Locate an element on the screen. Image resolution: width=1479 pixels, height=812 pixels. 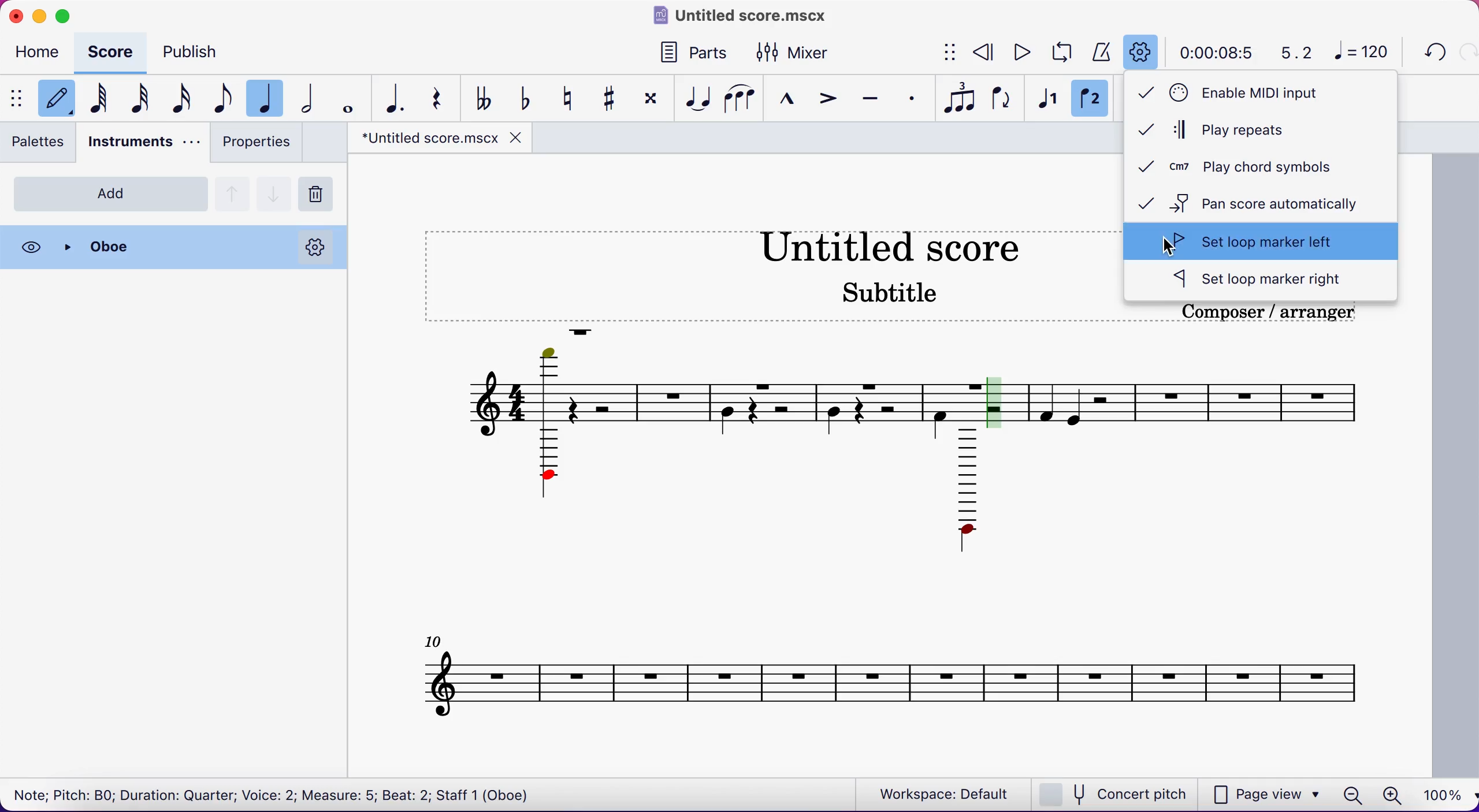
untitled score subtitle composer/arranger 10 is located at coordinates (902, 535).